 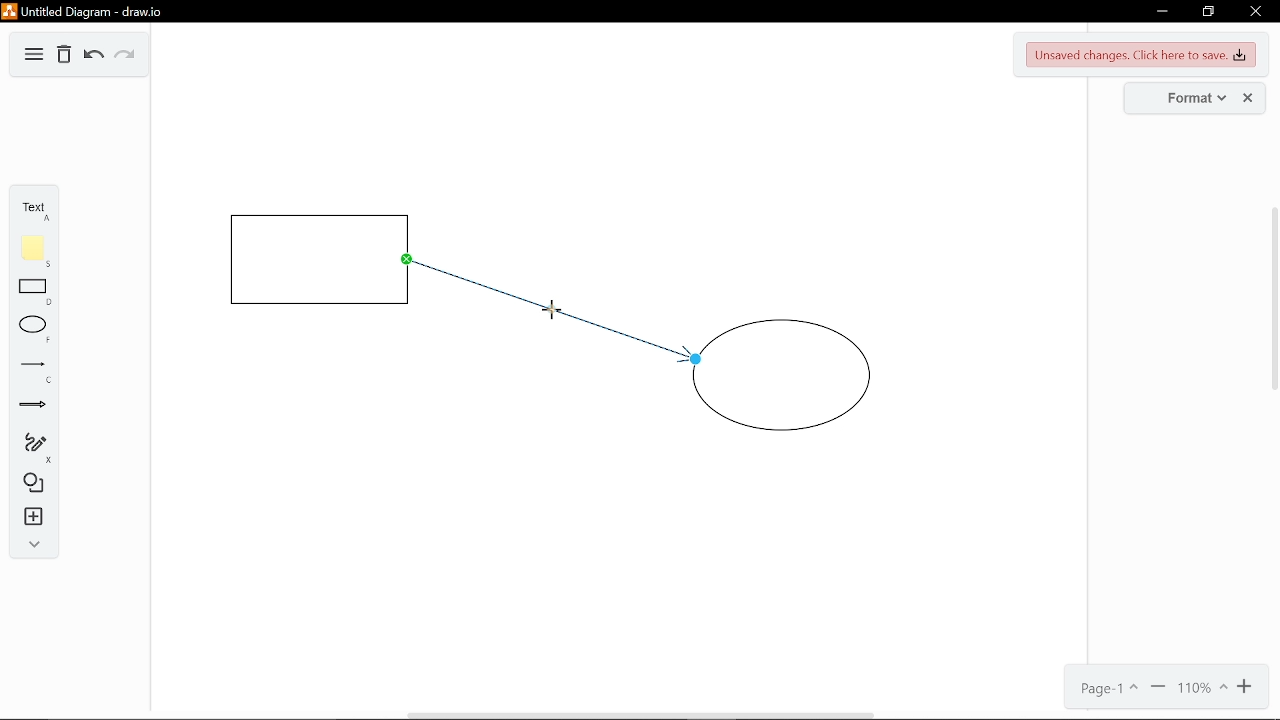 What do you see at coordinates (30, 330) in the screenshot?
I see `Ellipse` at bounding box center [30, 330].